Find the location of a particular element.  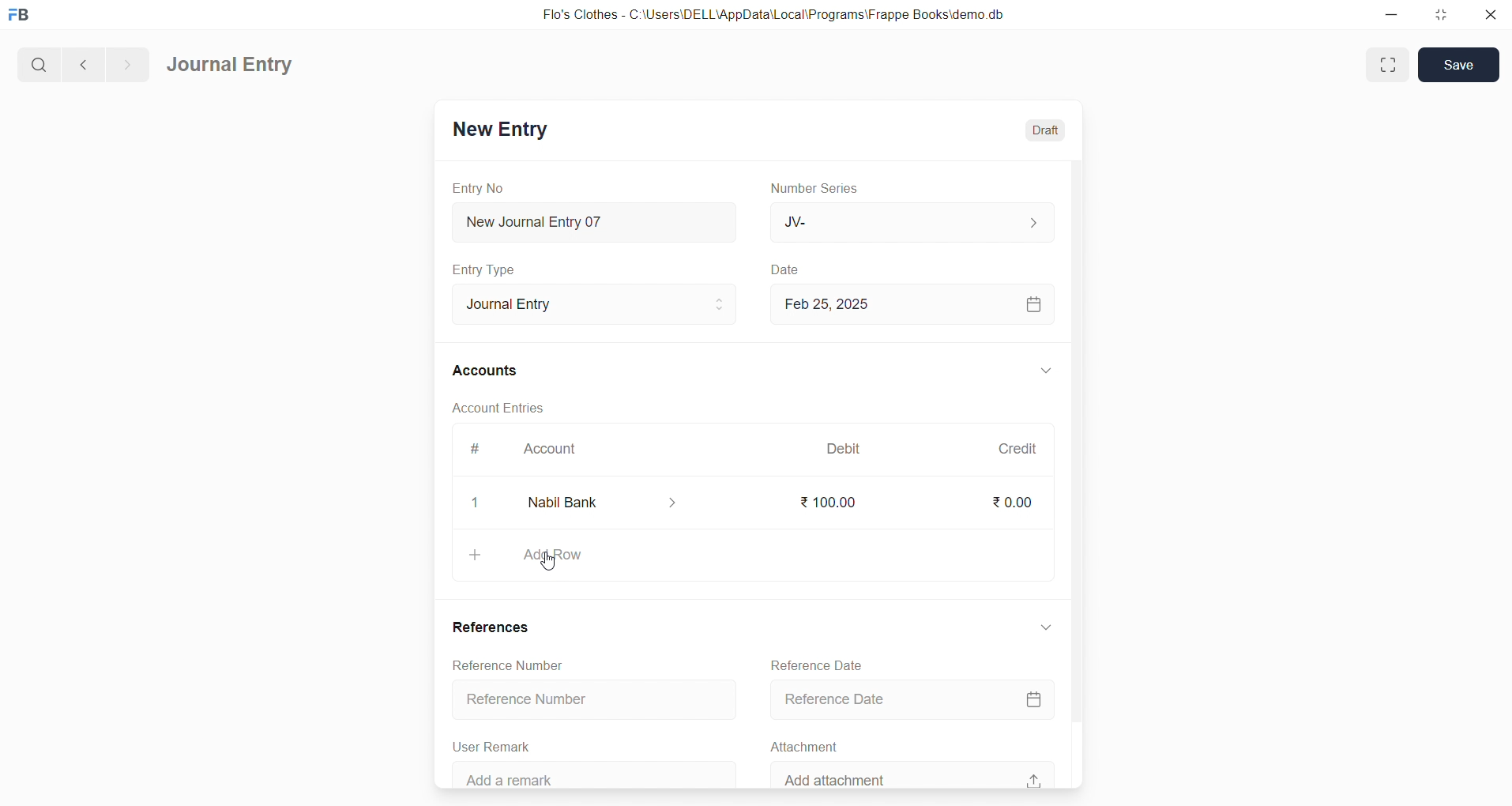

Reference Date is located at coordinates (818, 663).